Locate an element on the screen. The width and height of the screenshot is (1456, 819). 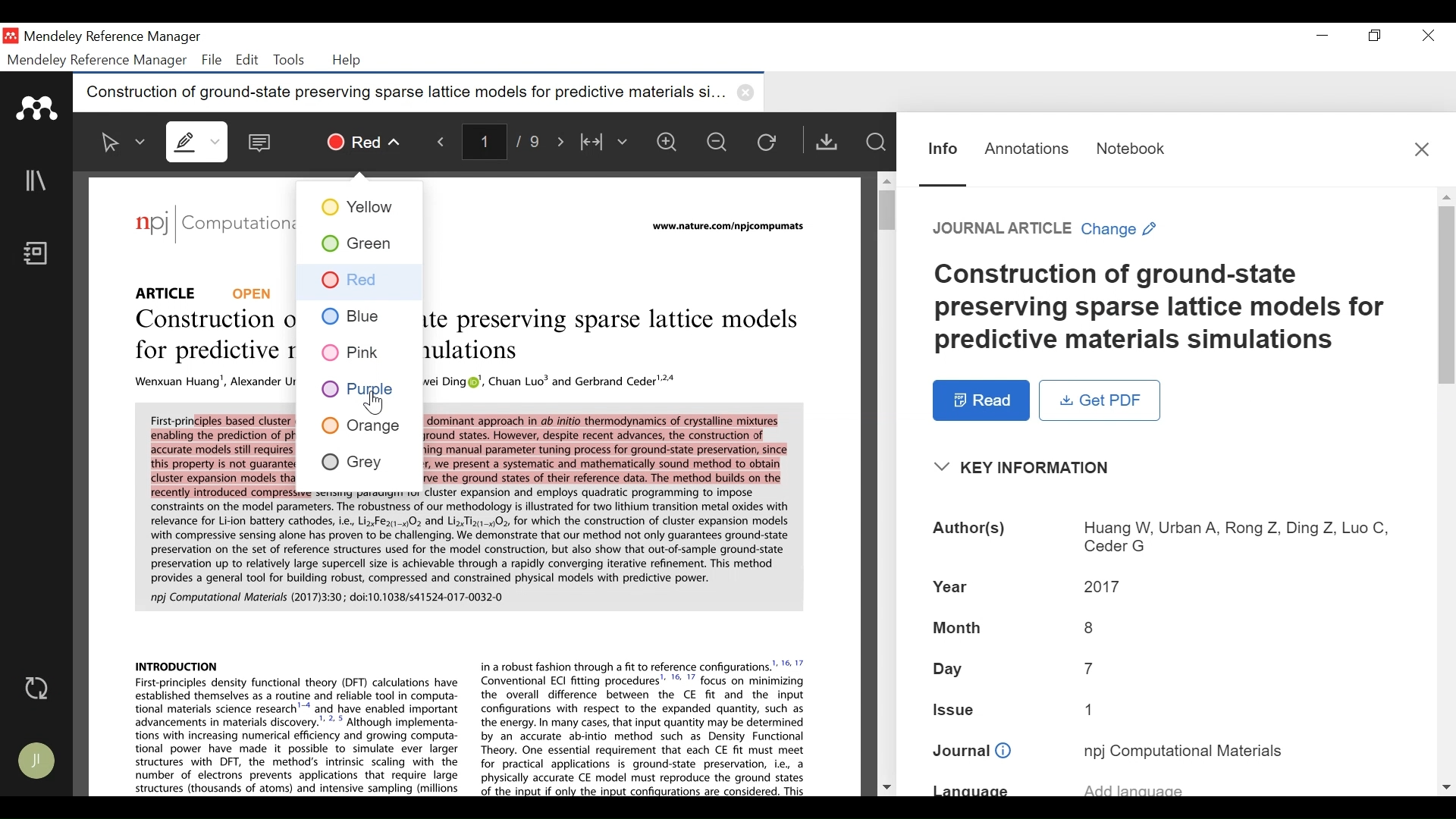
Huang W, Urban A, Rong Z, Ding Z, Luo C,
Ceder G is located at coordinates (1224, 535).